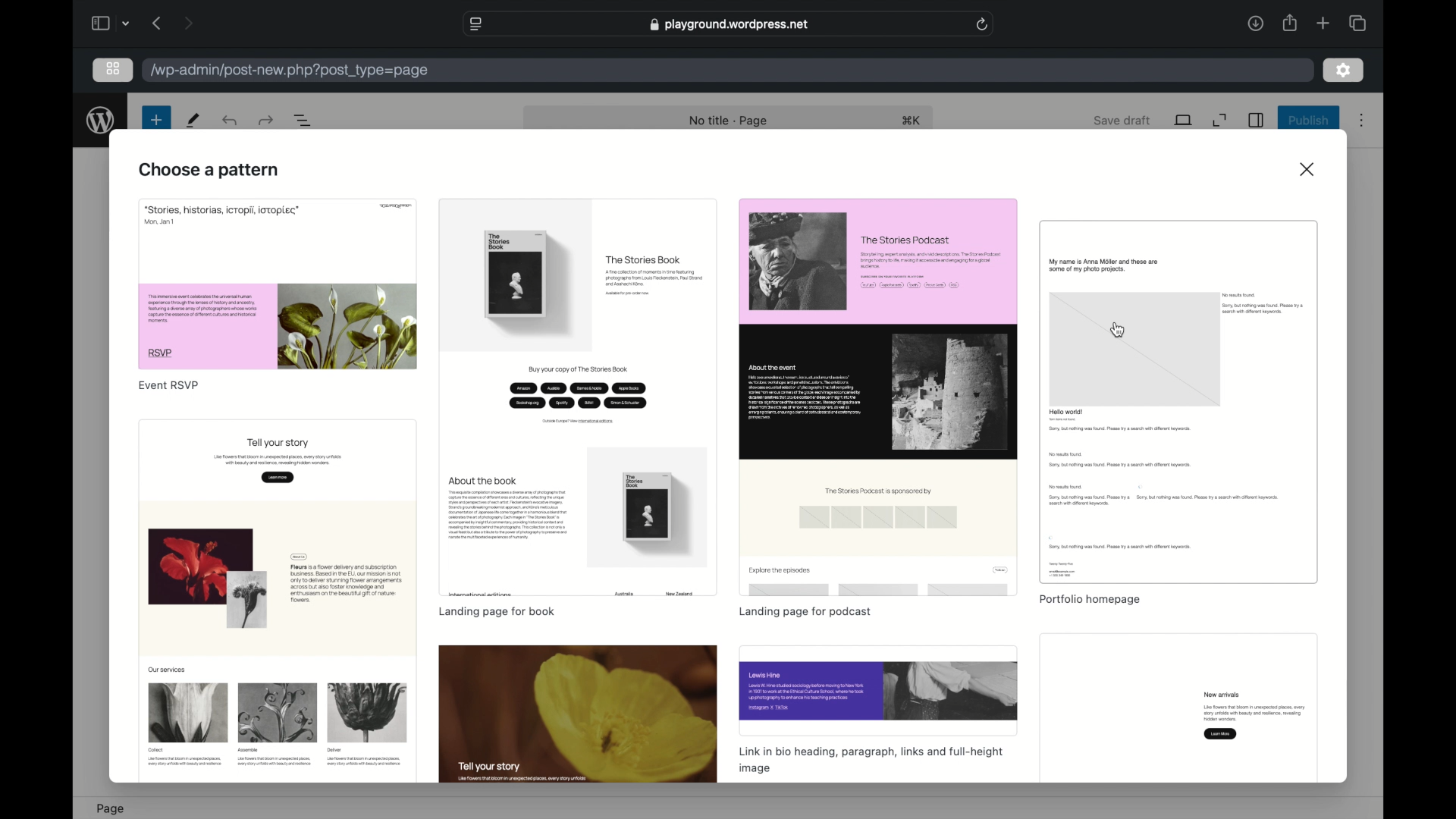 The image size is (1456, 819). I want to click on next page, so click(190, 22).